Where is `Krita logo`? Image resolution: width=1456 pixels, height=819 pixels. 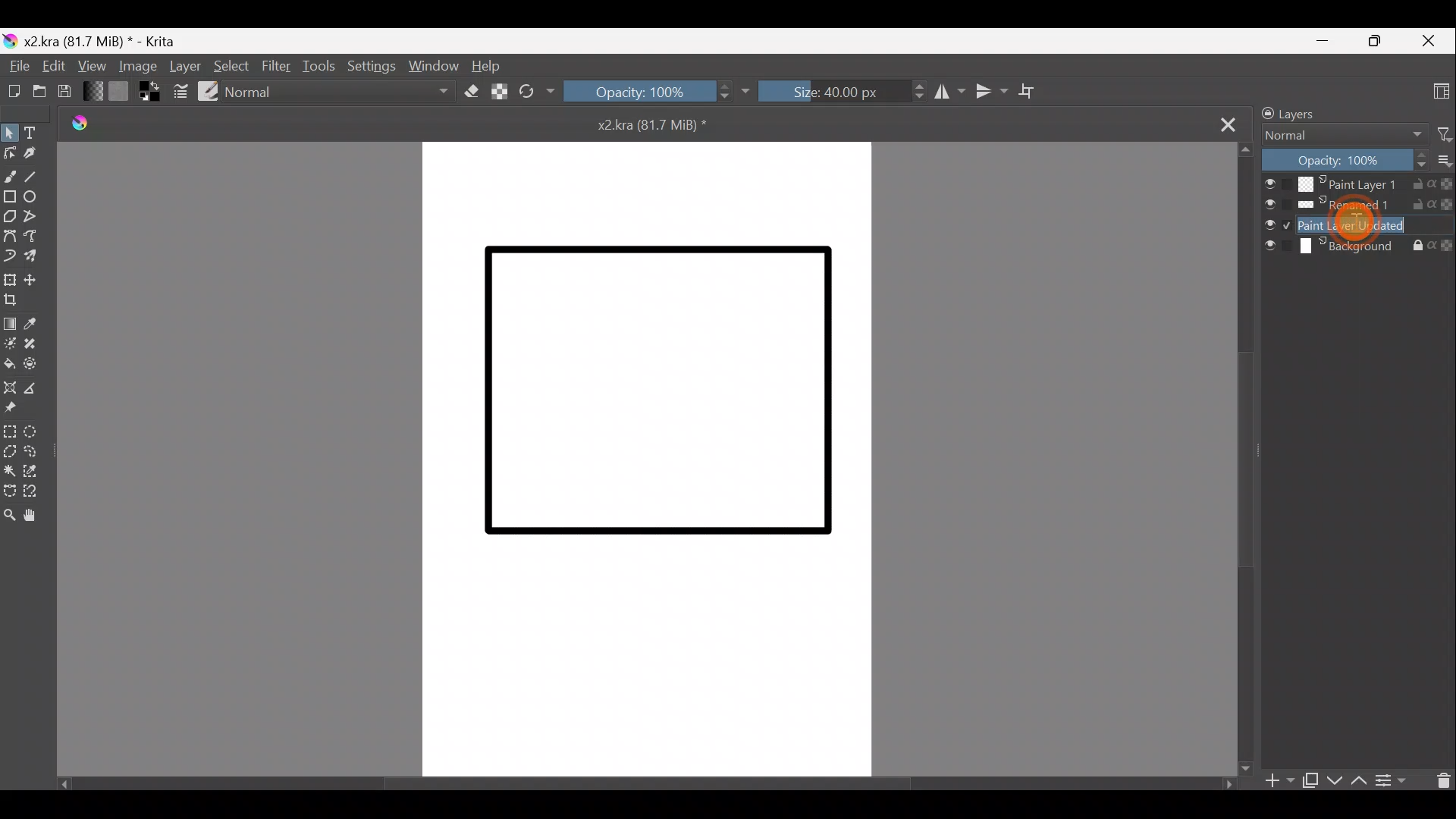 Krita logo is located at coordinates (10, 39).